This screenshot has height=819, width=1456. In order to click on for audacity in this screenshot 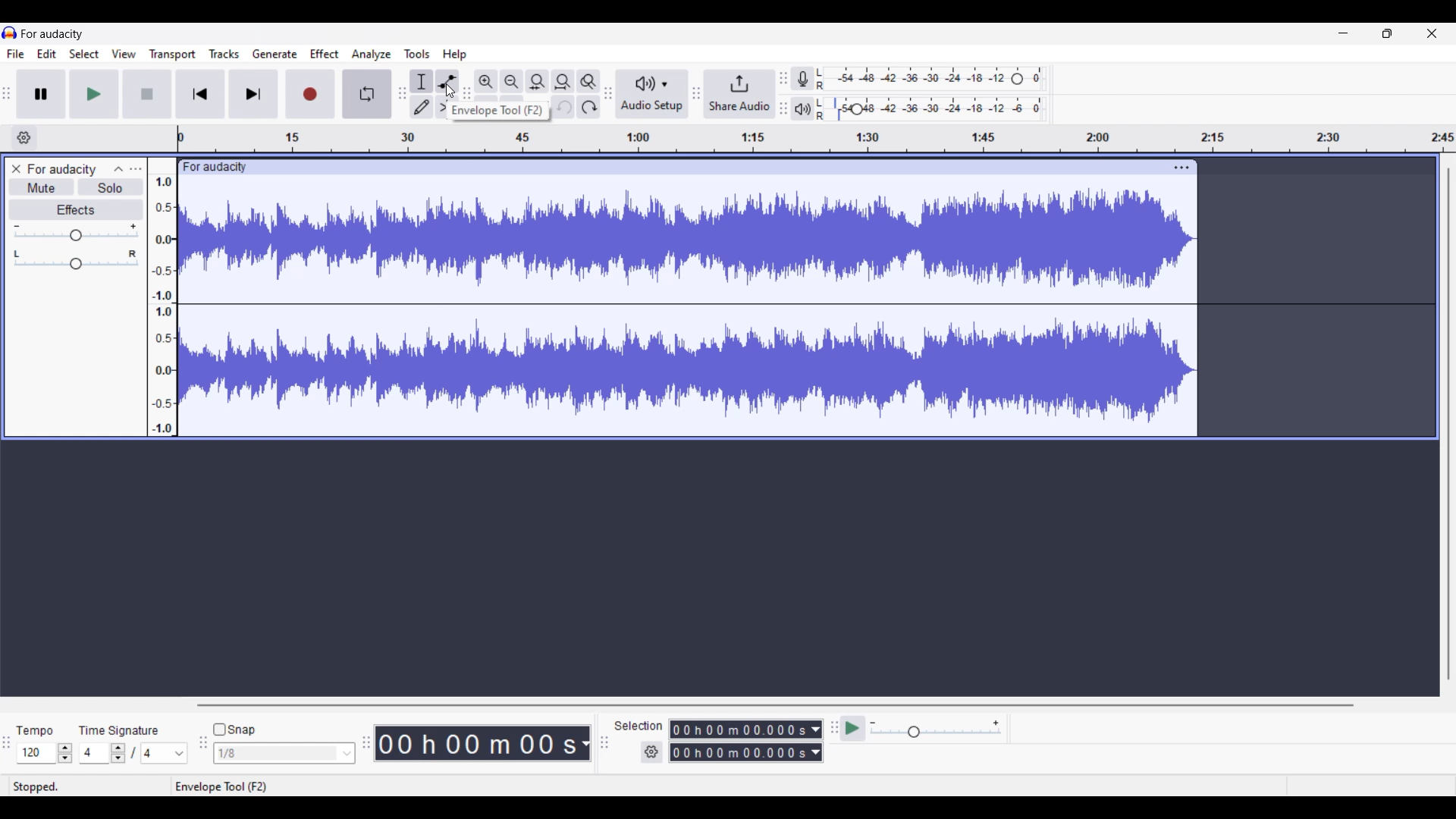, I will do `click(215, 168)`.